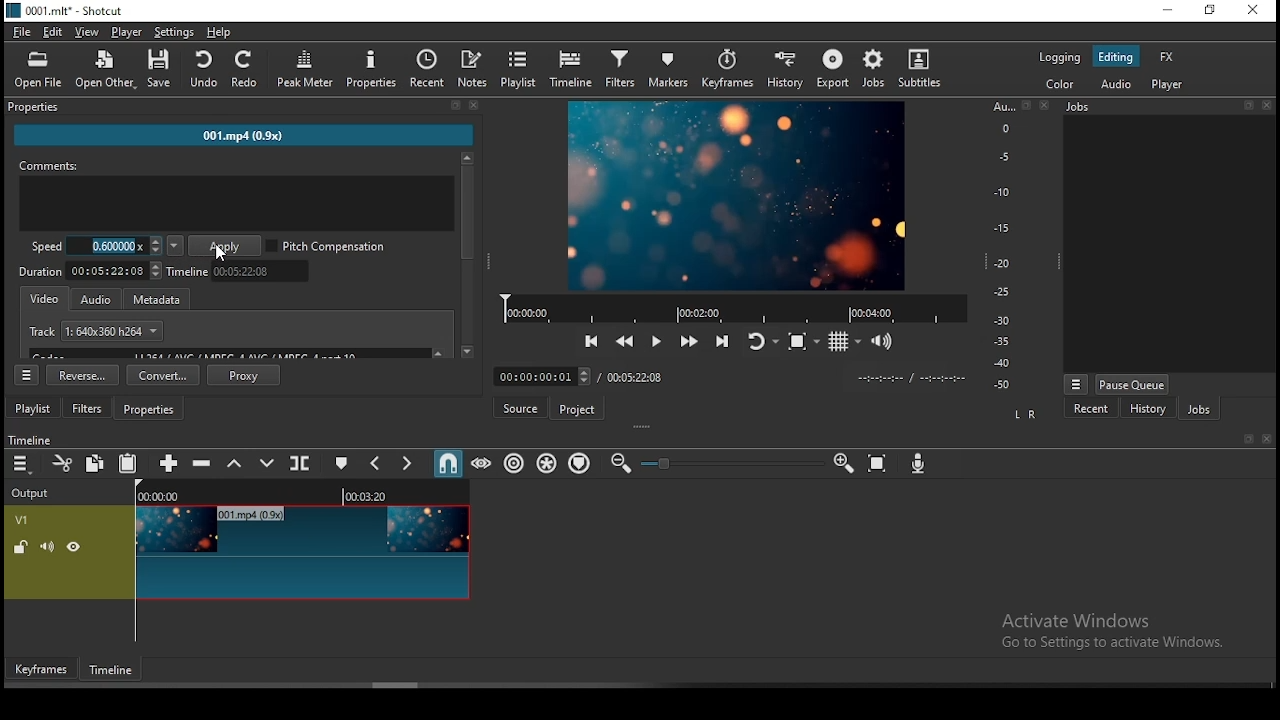  What do you see at coordinates (95, 465) in the screenshot?
I see `copy` at bounding box center [95, 465].